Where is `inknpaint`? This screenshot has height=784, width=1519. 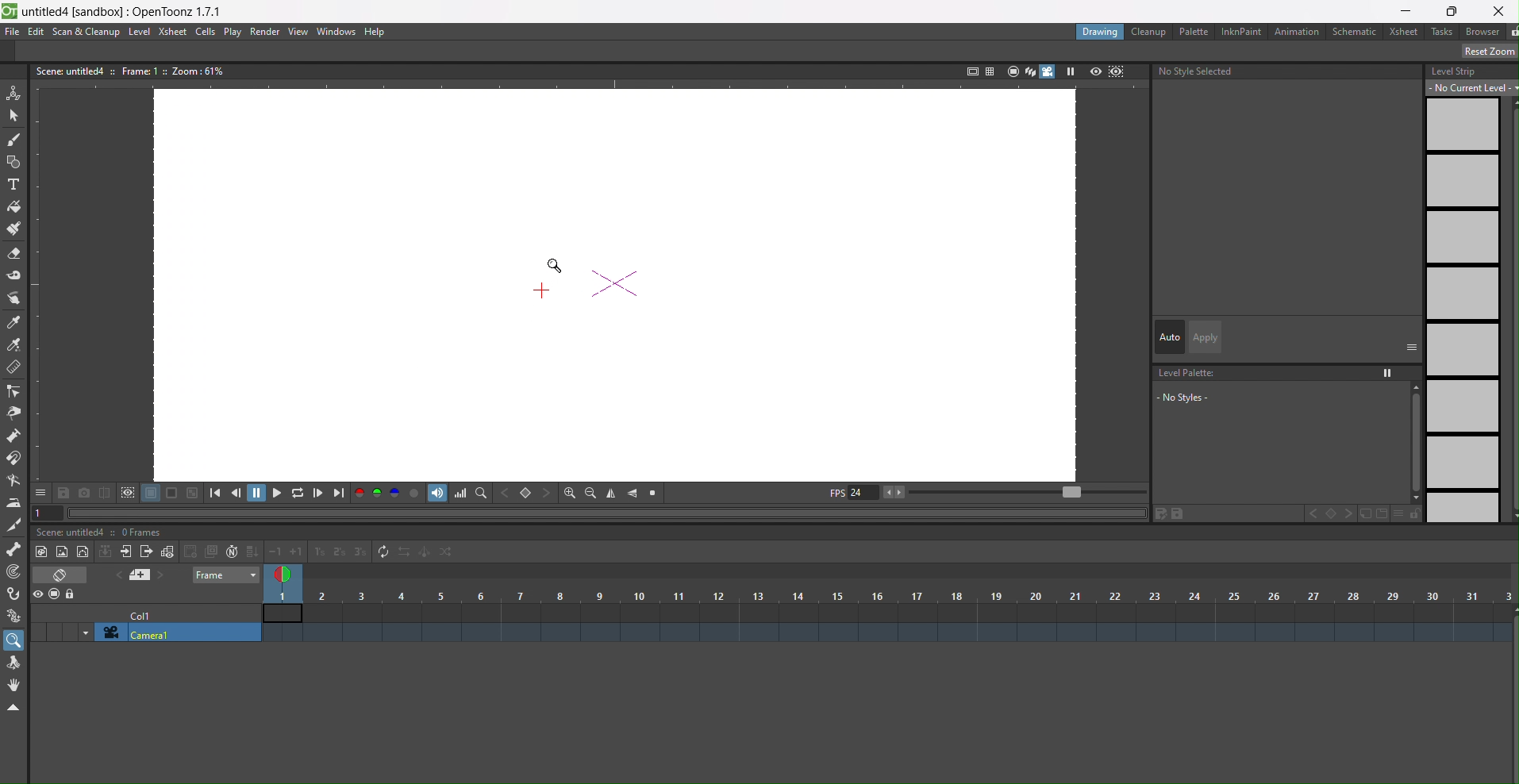 inknpaint is located at coordinates (1240, 31).